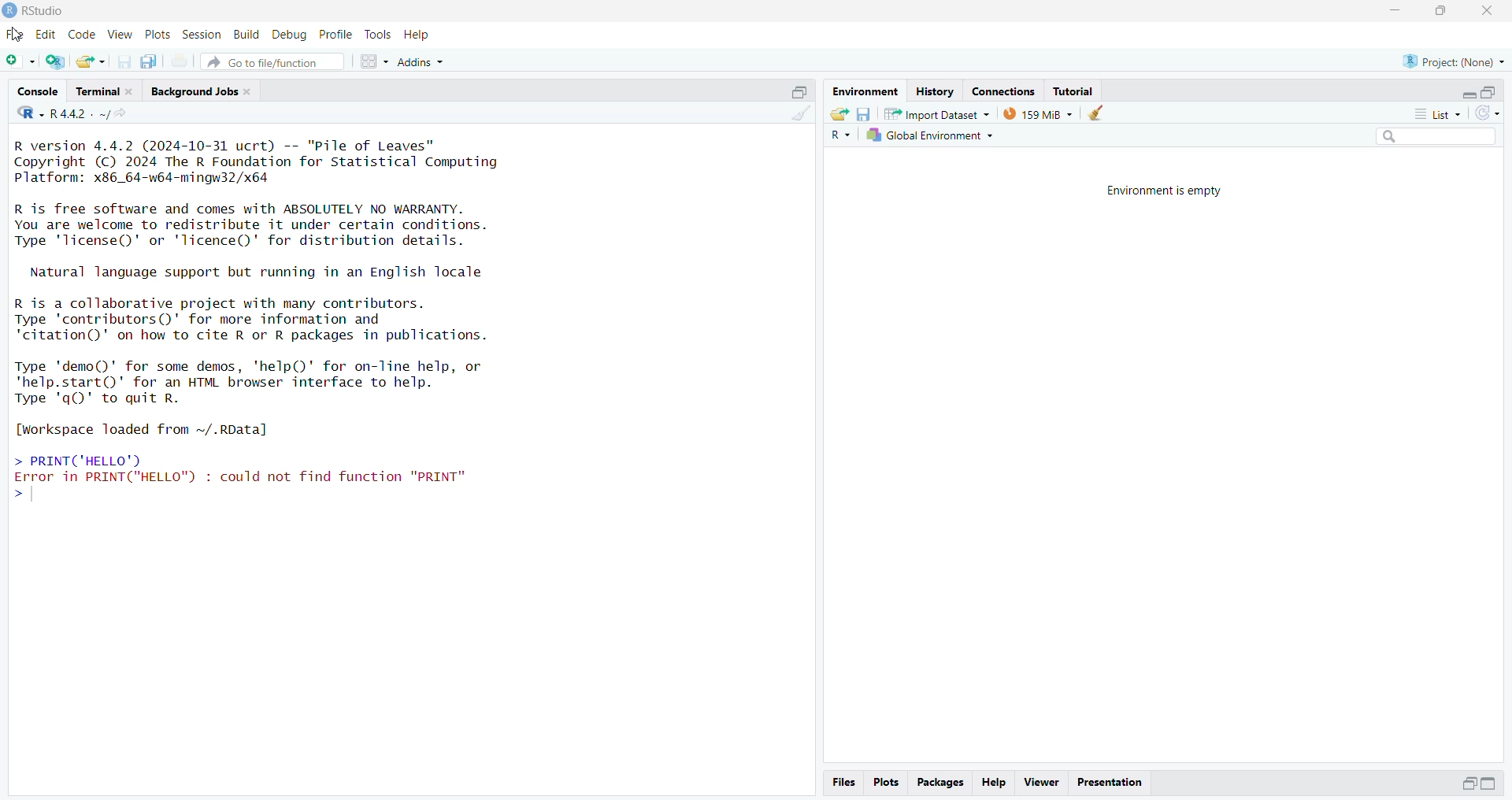 This screenshot has width=1512, height=800. I want to click on terminal, so click(106, 91).